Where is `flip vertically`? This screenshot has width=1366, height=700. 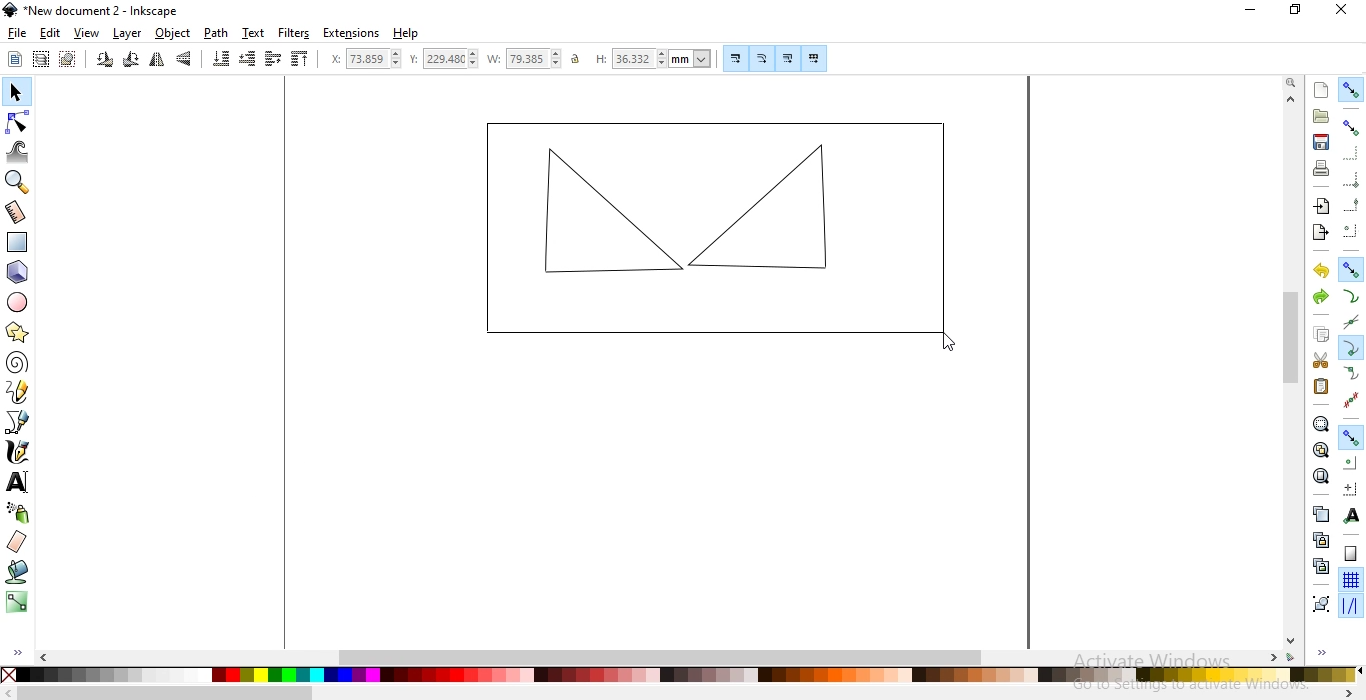
flip vertically is located at coordinates (184, 60).